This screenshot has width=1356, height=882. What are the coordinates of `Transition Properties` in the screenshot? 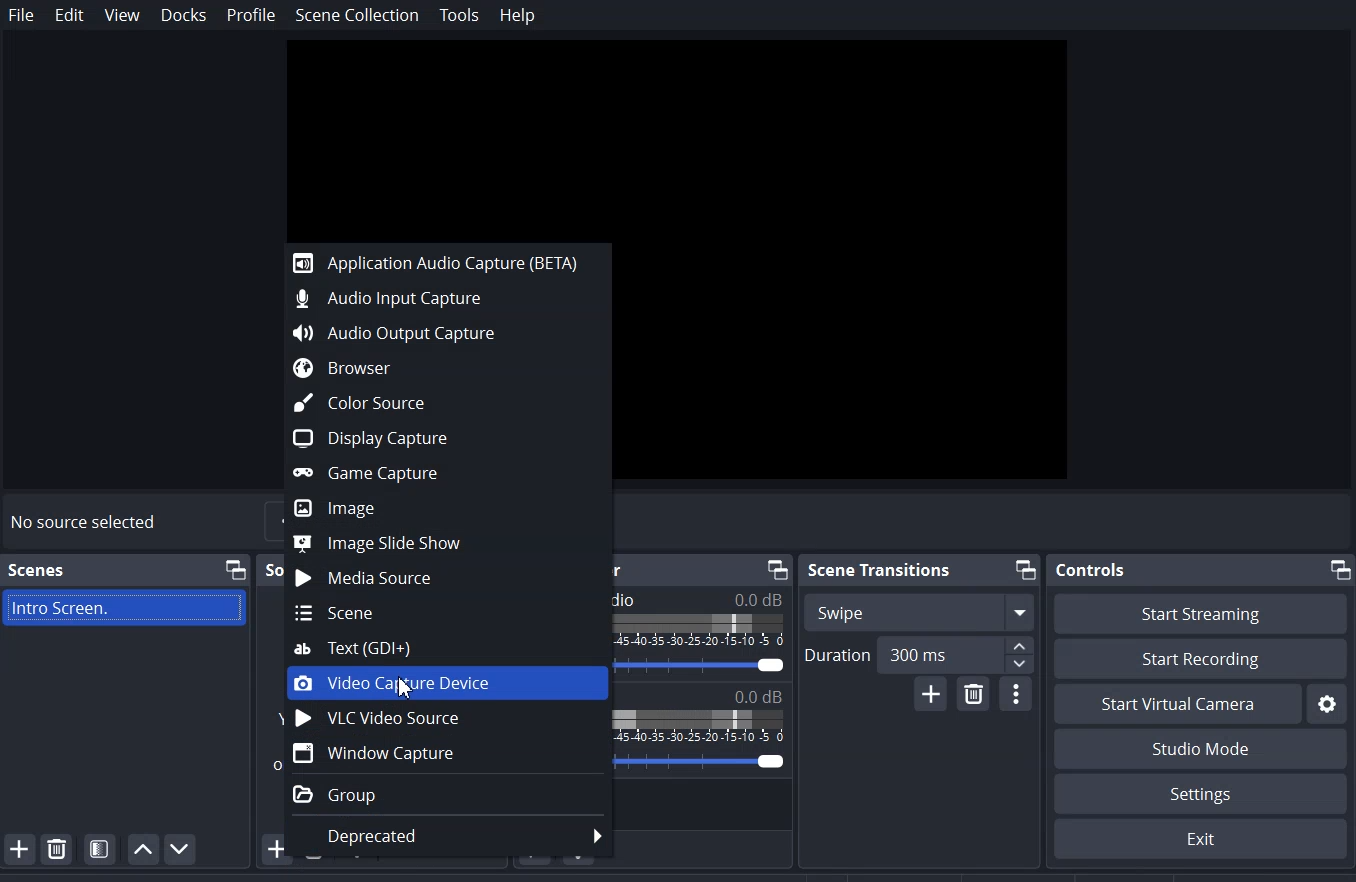 It's located at (1017, 694).